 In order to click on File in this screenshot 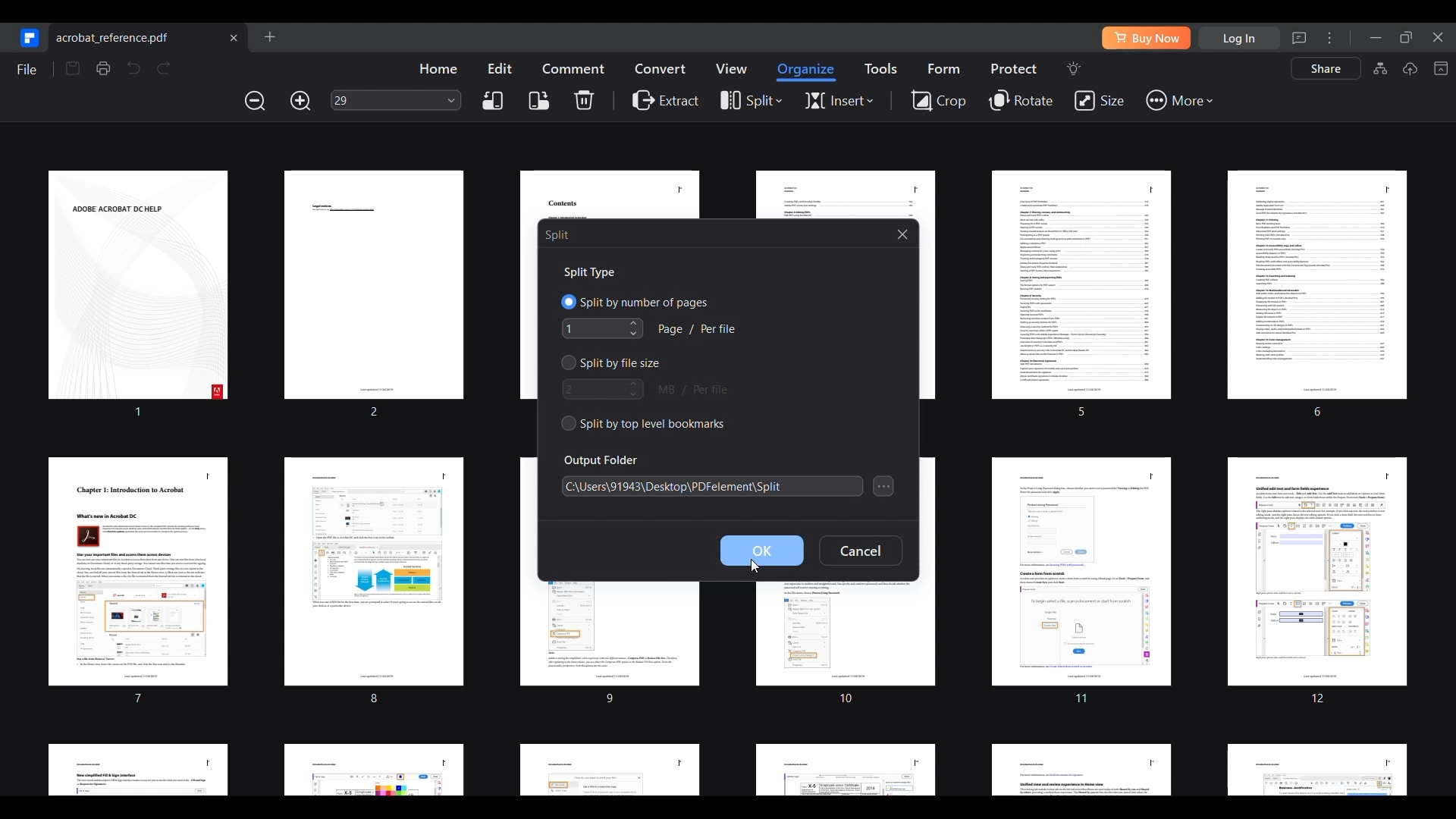, I will do `click(26, 69)`.